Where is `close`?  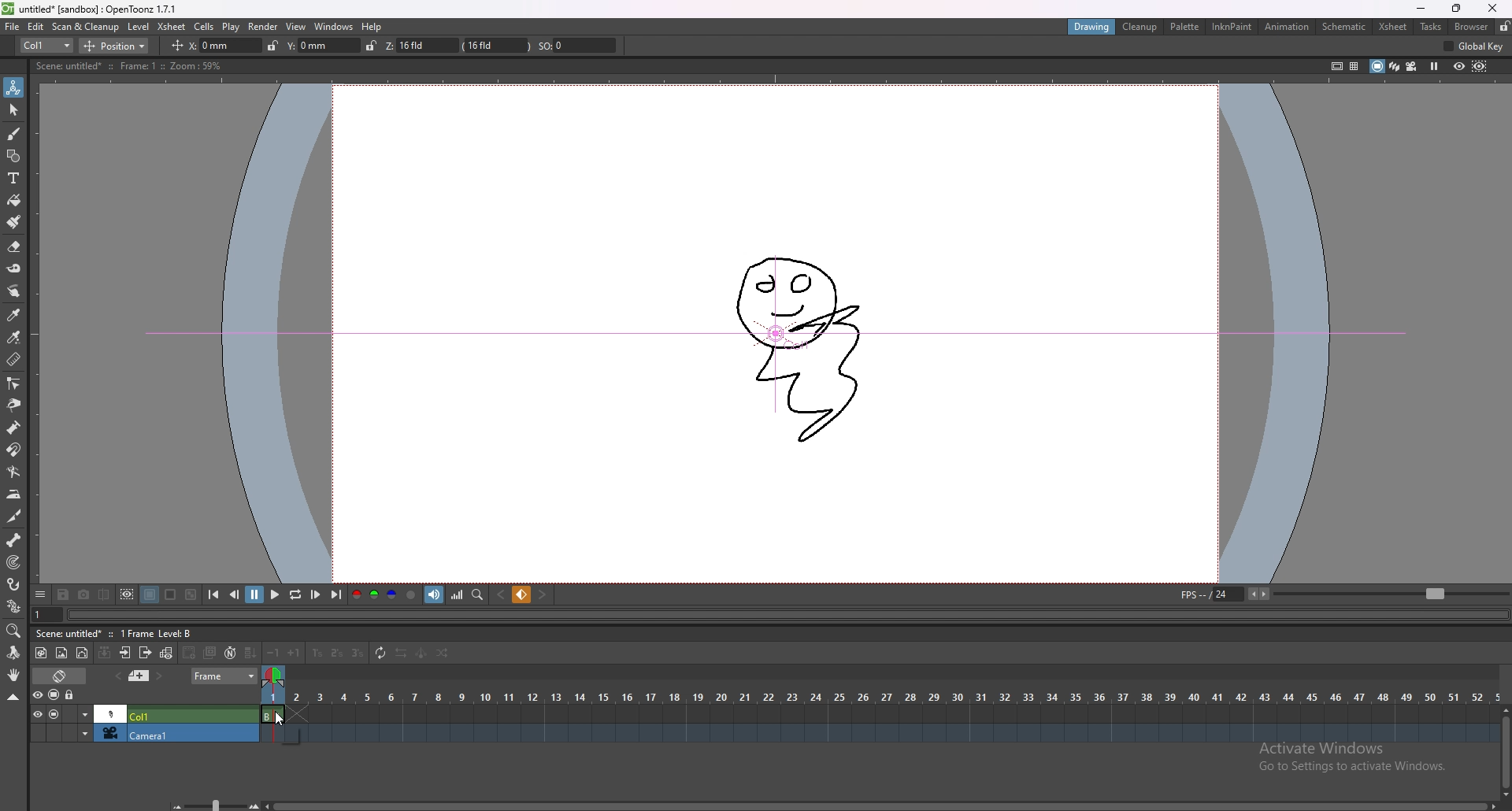
close is located at coordinates (1491, 9).